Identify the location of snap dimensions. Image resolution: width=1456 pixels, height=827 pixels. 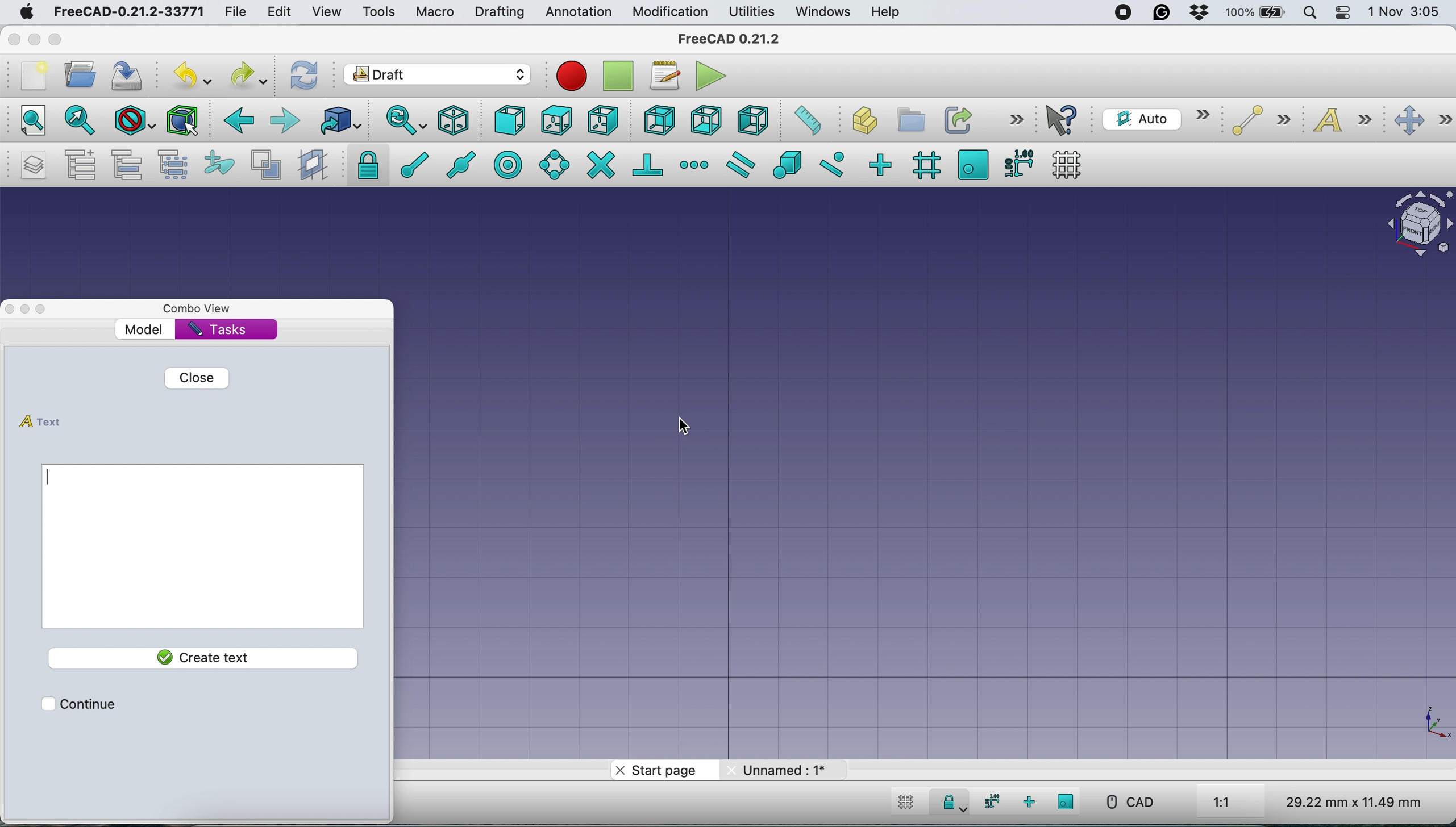
(989, 803).